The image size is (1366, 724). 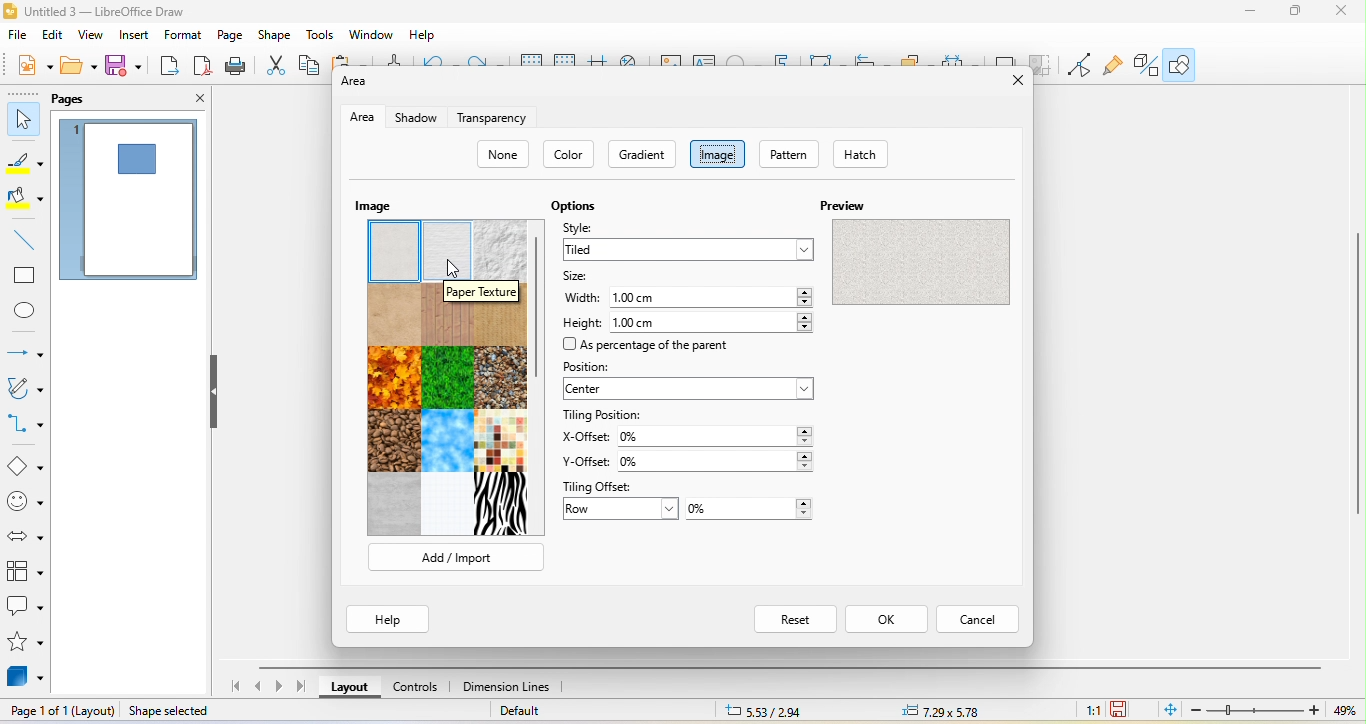 I want to click on curve and polygons, so click(x=26, y=388).